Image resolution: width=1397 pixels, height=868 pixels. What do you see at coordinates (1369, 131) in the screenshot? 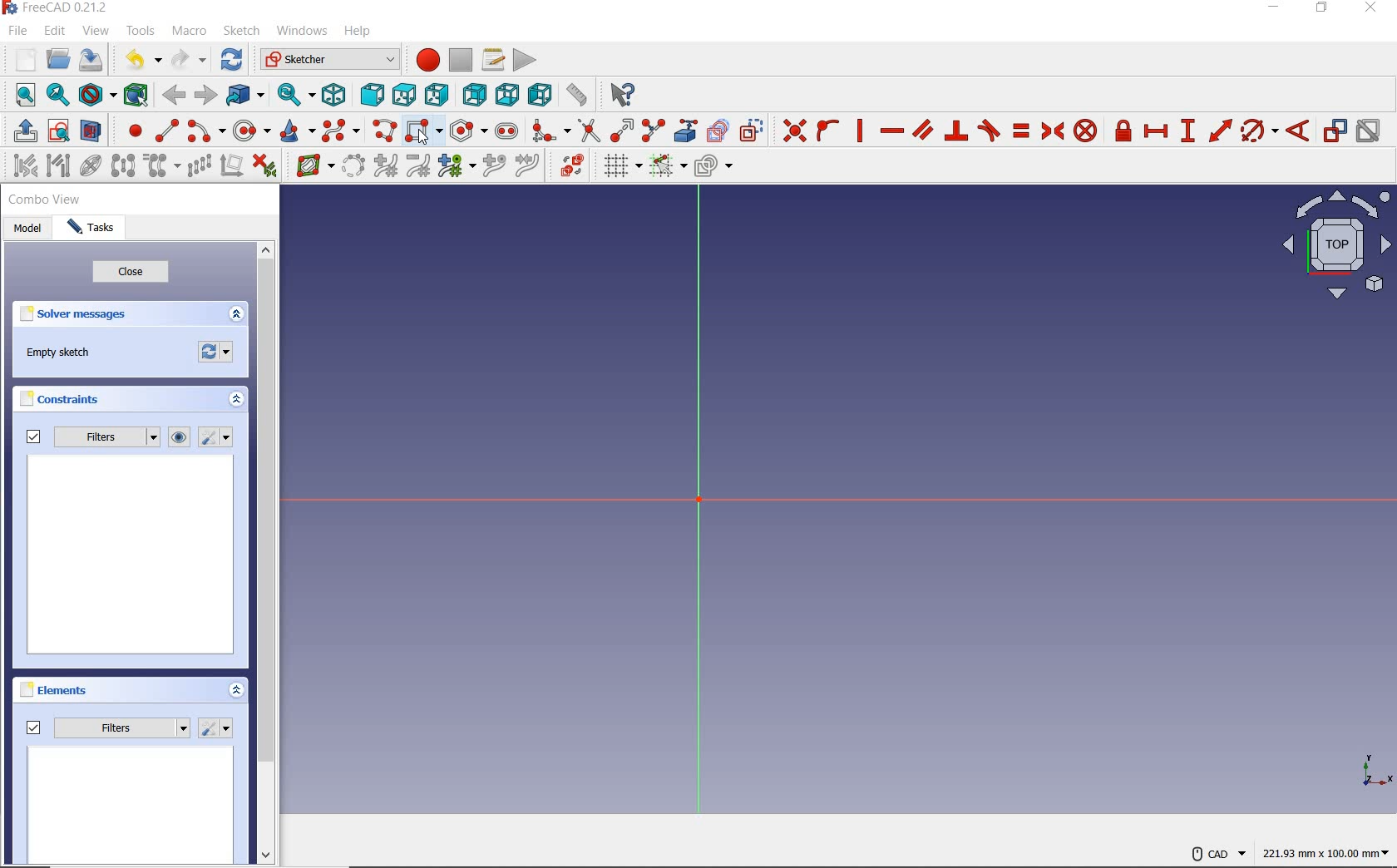
I see `activate or deactivate constraint` at bounding box center [1369, 131].